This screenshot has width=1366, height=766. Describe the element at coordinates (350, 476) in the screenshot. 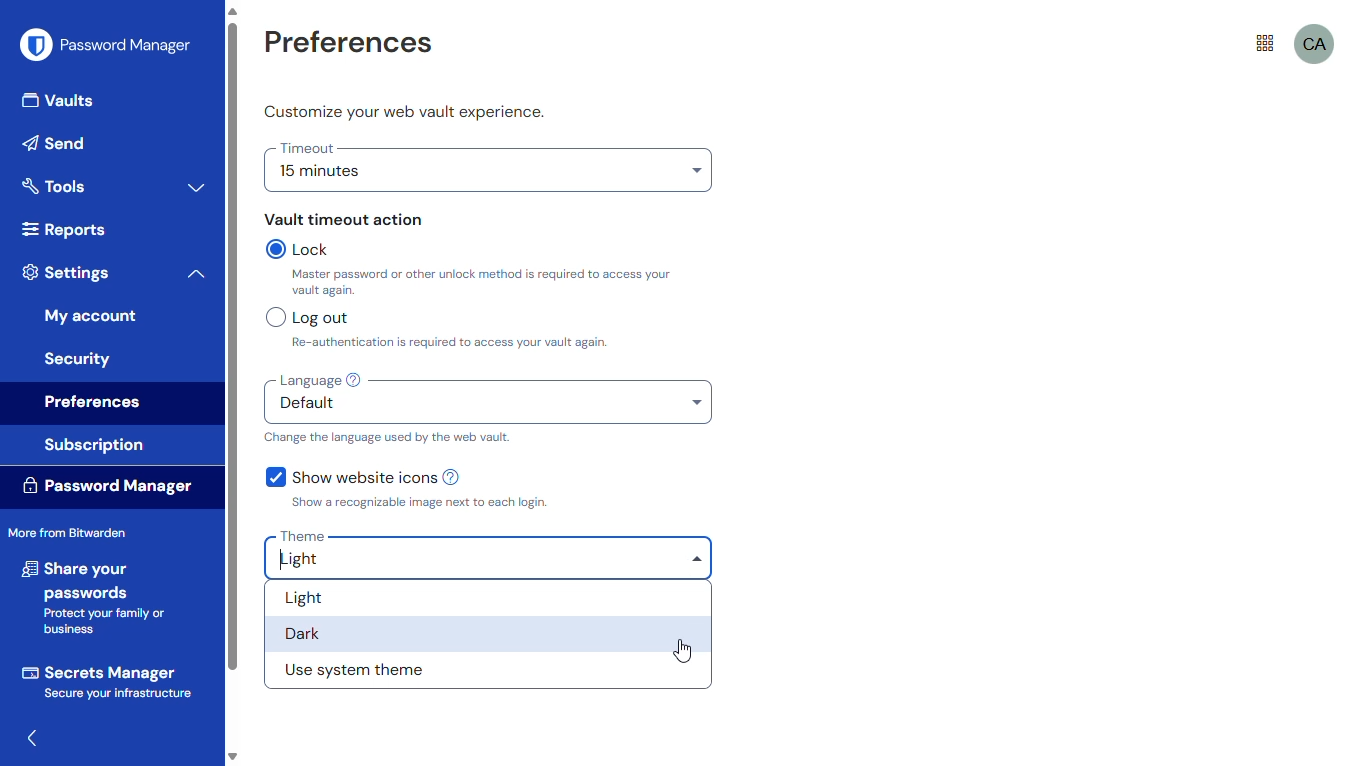

I see `show website icons` at that location.